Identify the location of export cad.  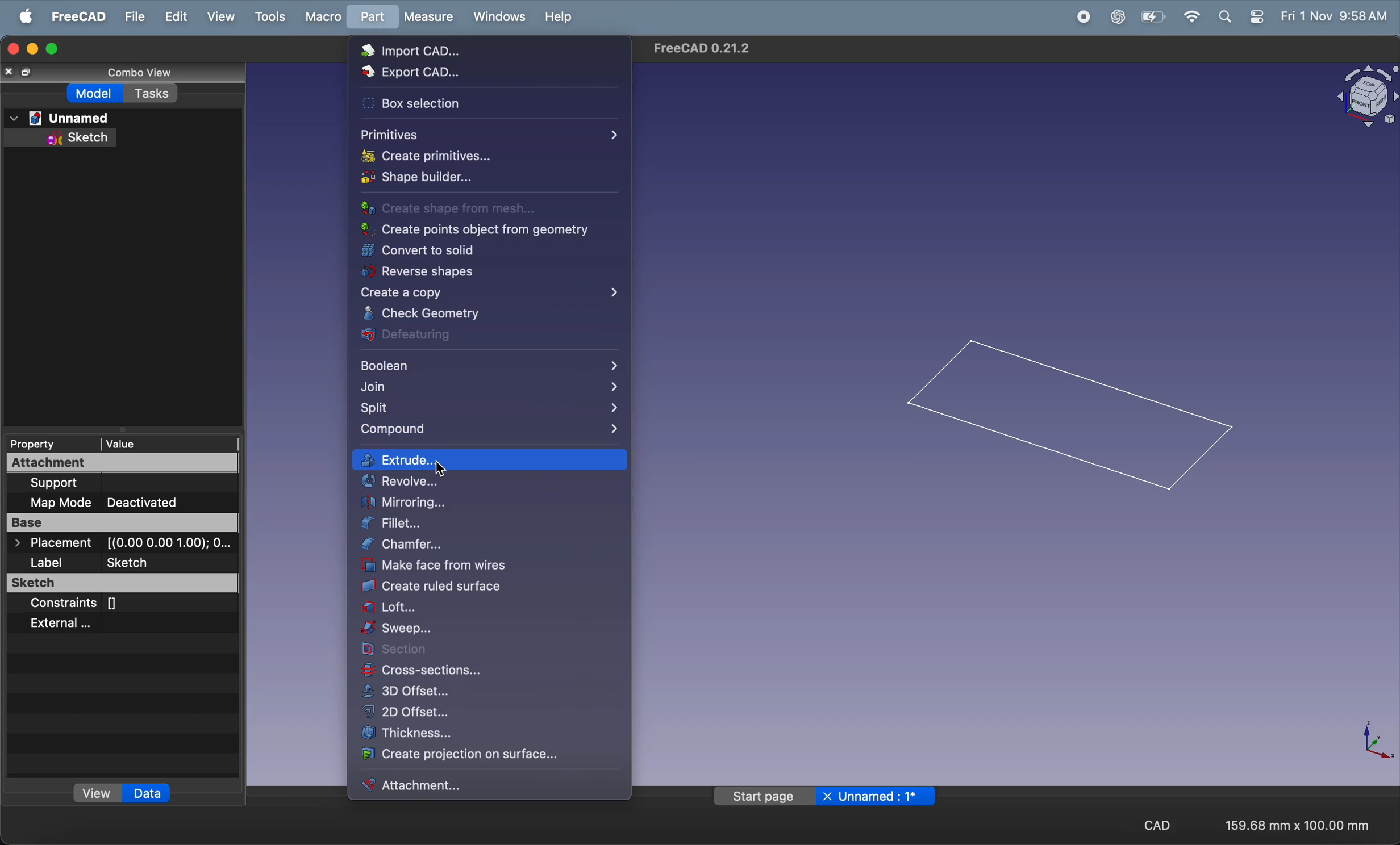
(457, 74).